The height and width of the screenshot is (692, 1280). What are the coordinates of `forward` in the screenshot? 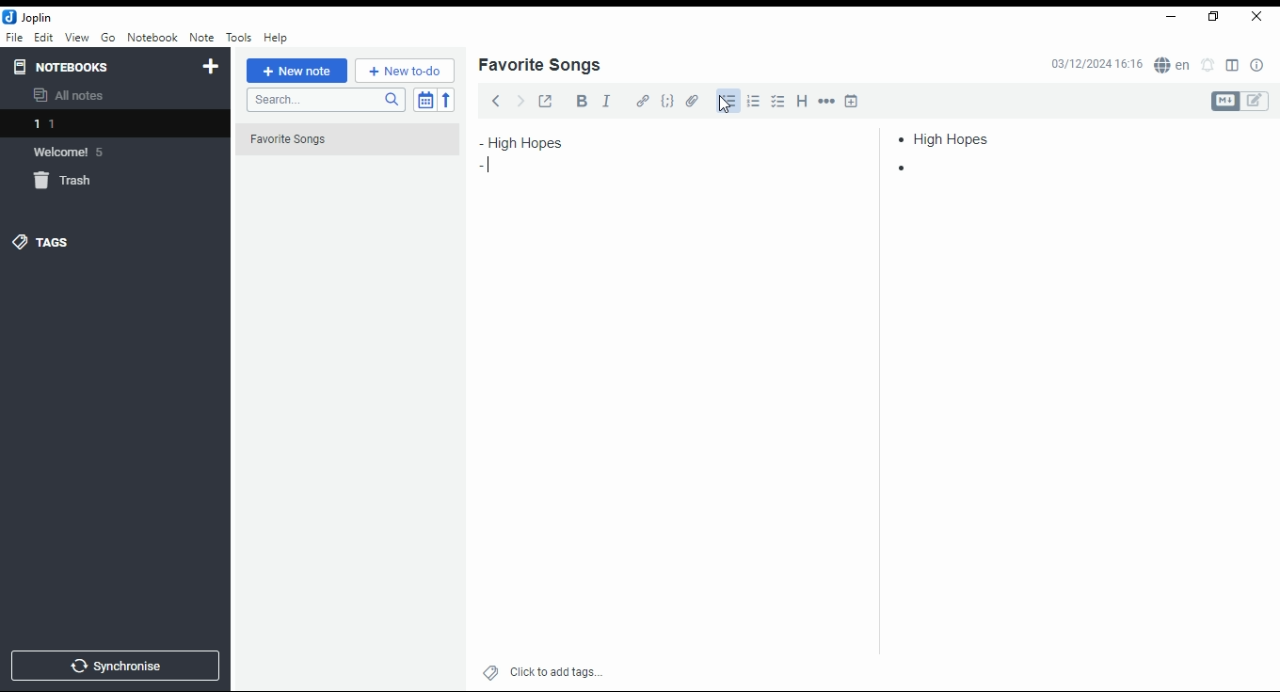 It's located at (520, 99).